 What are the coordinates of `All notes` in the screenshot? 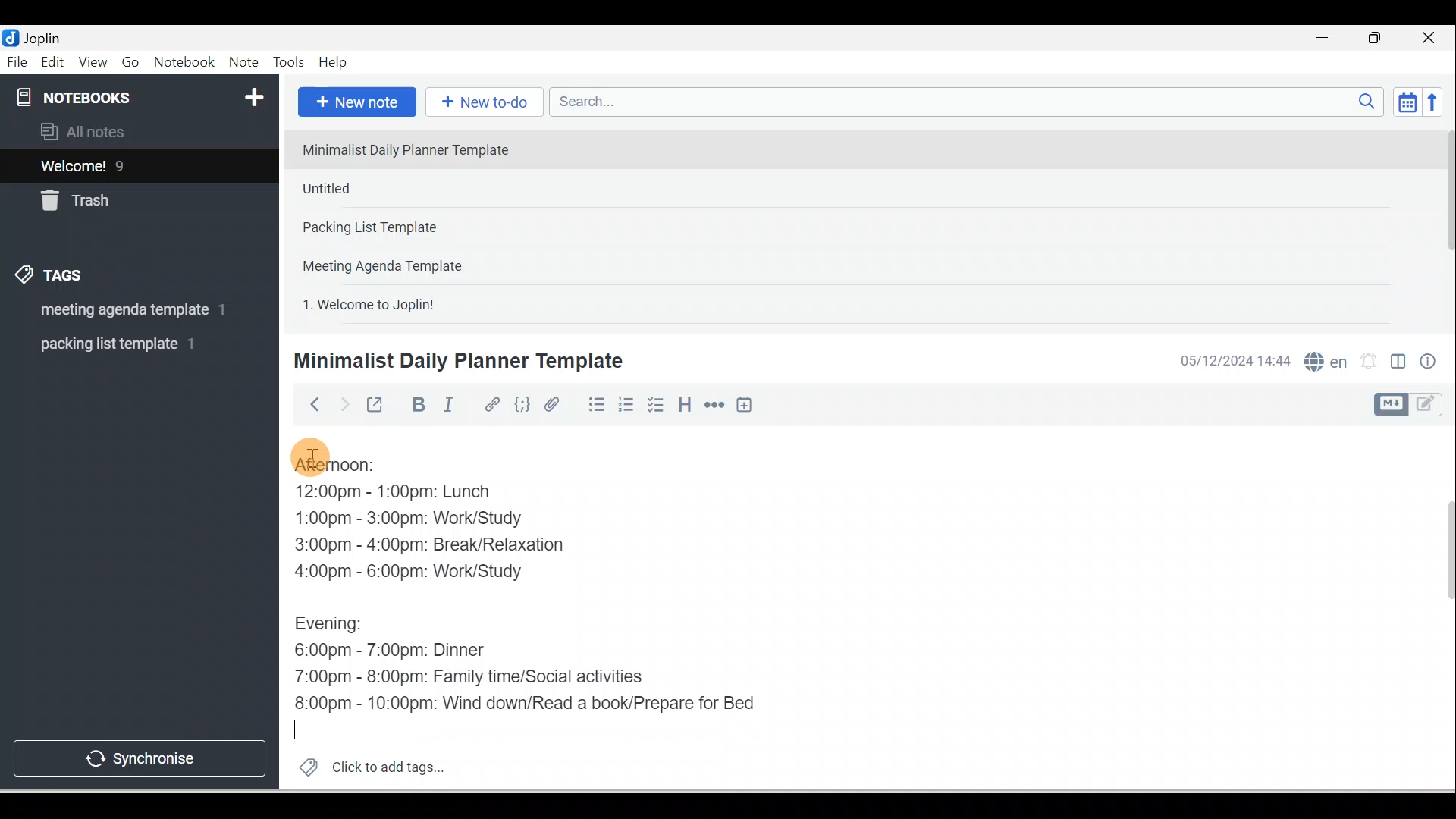 It's located at (137, 131).